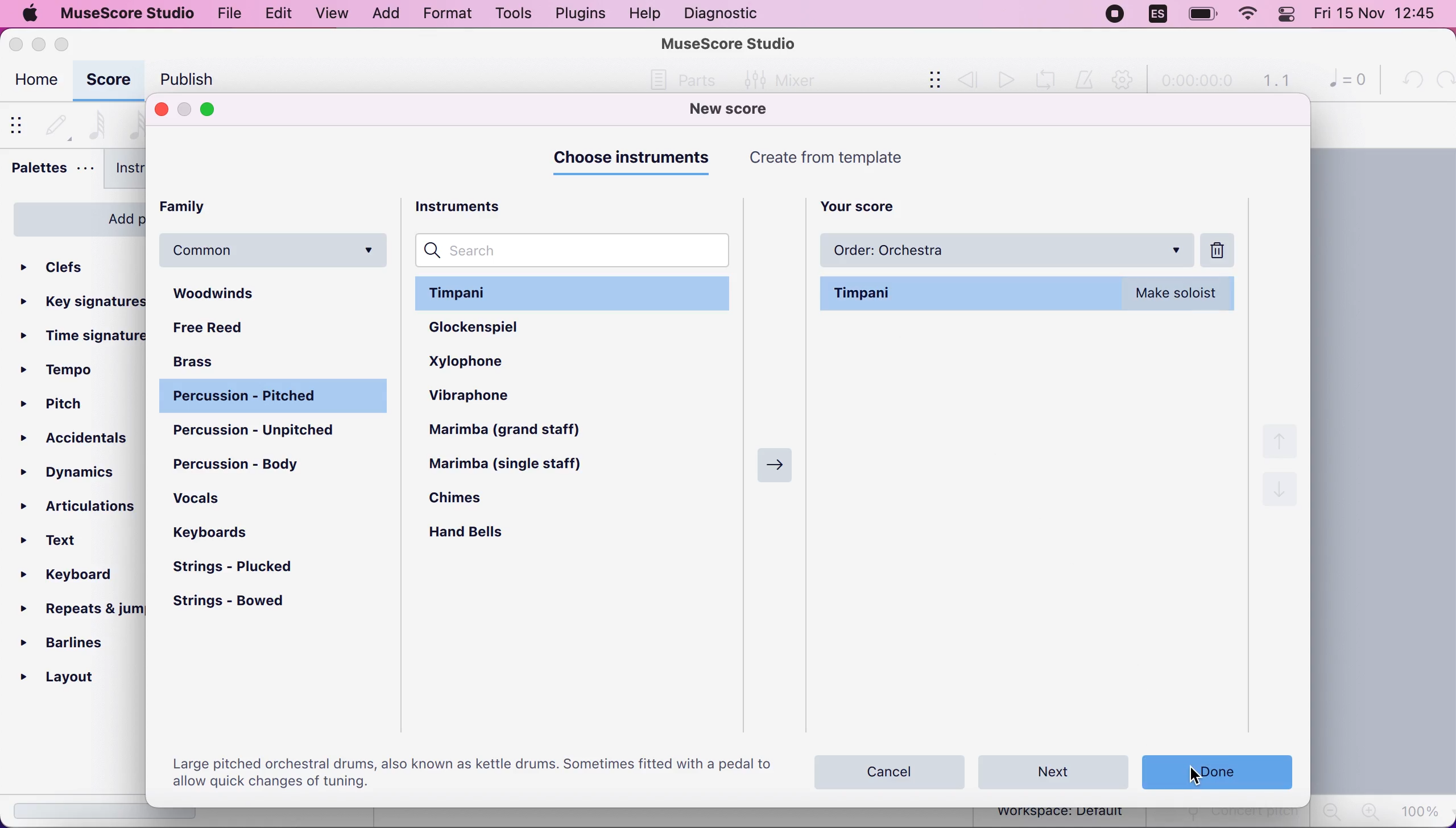  Describe the element at coordinates (1247, 16) in the screenshot. I see `wifi` at that location.